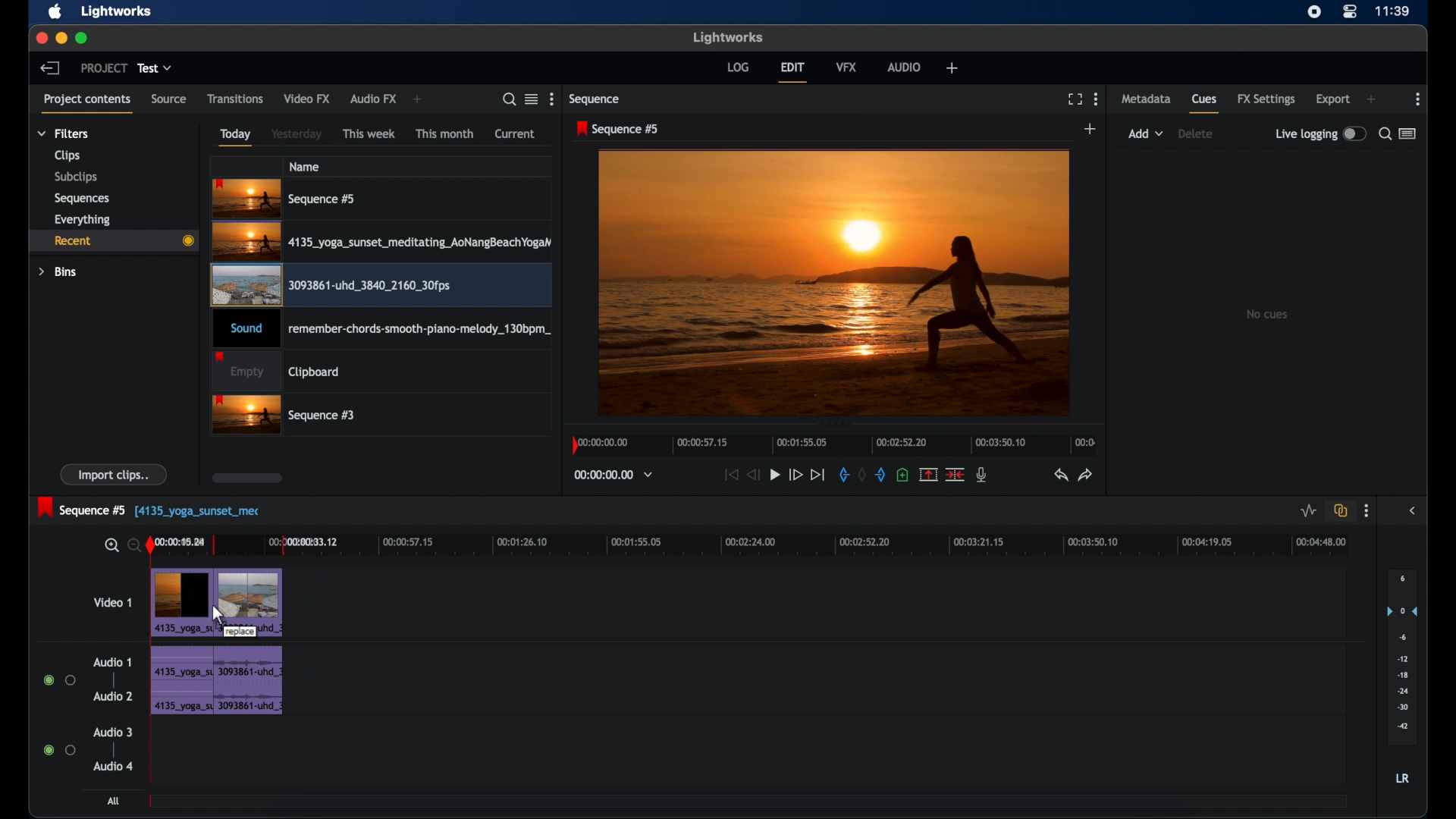 This screenshot has height=819, width=1456. What do you see at coordinates (1075, 99) in the screenshot?
I see `full screen` at bounding box center [1075, 99].